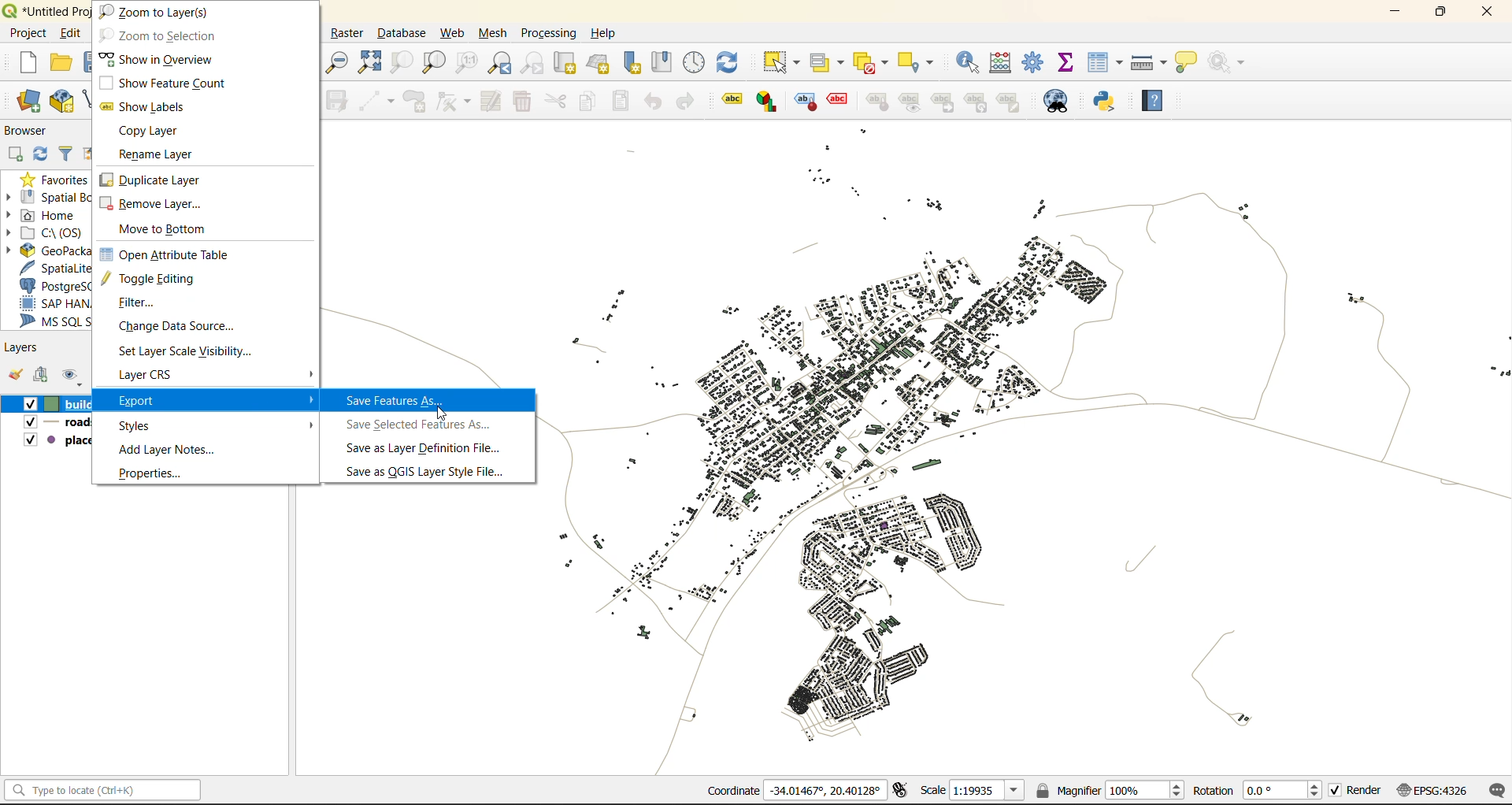 Image resolution: width=1512 pixels, height=805 pixels. Describe the element at coordinates (600, 65) in the screenshot. I see `new 3d map view` at that location.